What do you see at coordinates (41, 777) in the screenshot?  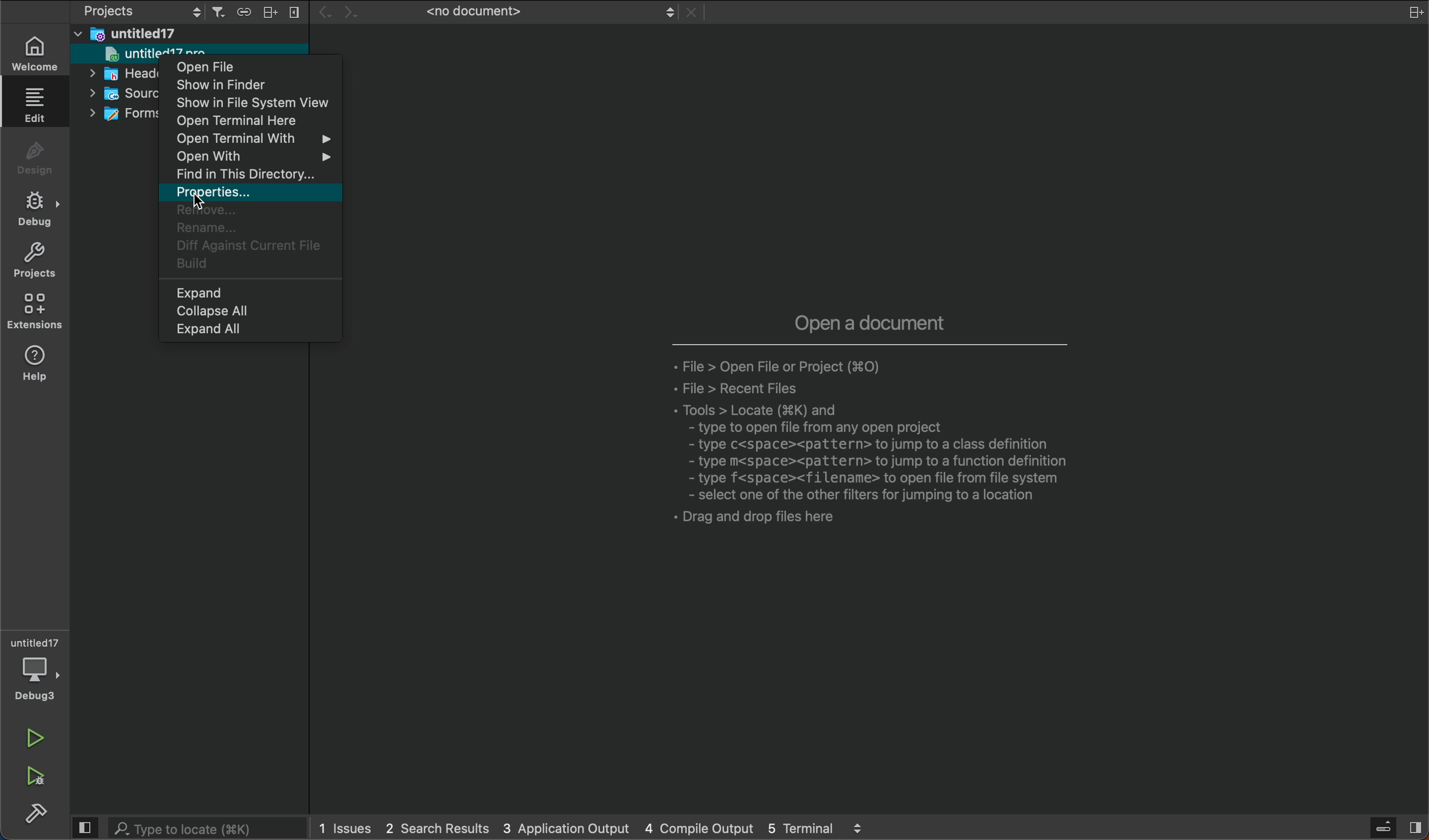 I see `run and debug` at bounding box center [41, 777].